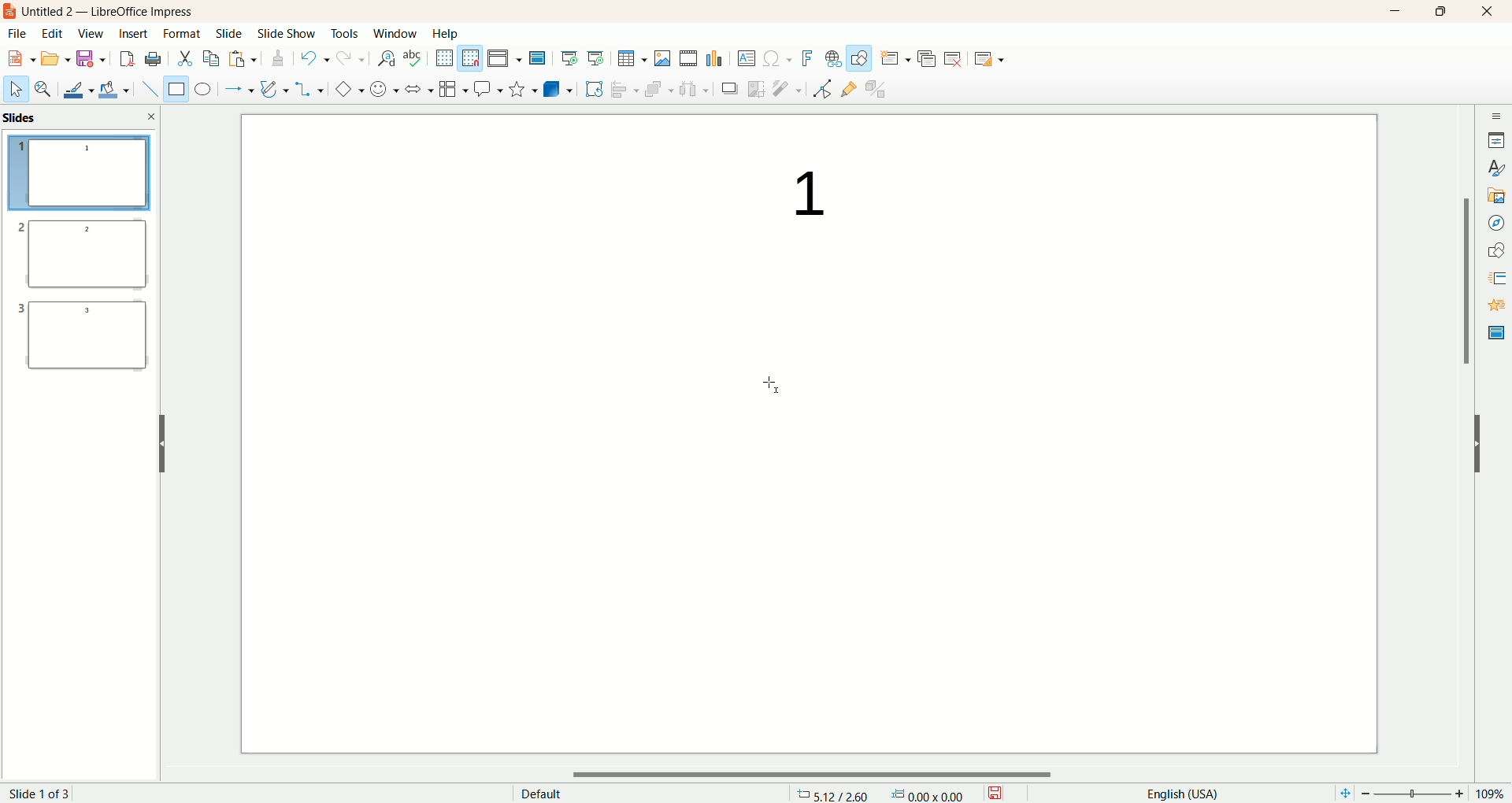 This screenshot has width=1512, height=803. What do you see at coordinates (859, 58) in the screenshot?
I see `draw function` at bounding box center [859, 58].